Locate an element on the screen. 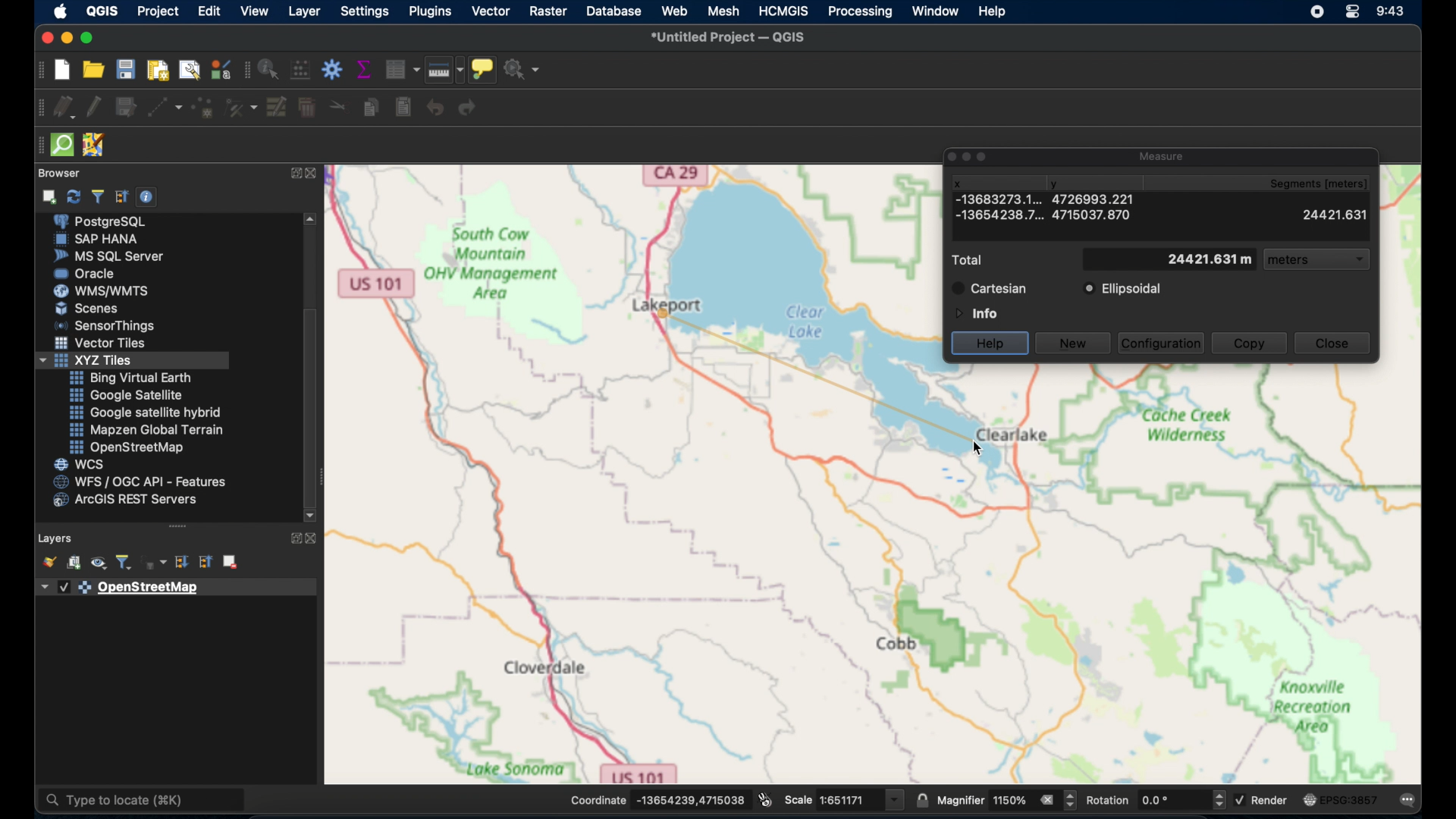 Image resolution: width=1456 pixels, height=819 pixels. project is located at coordinates (158, 10).